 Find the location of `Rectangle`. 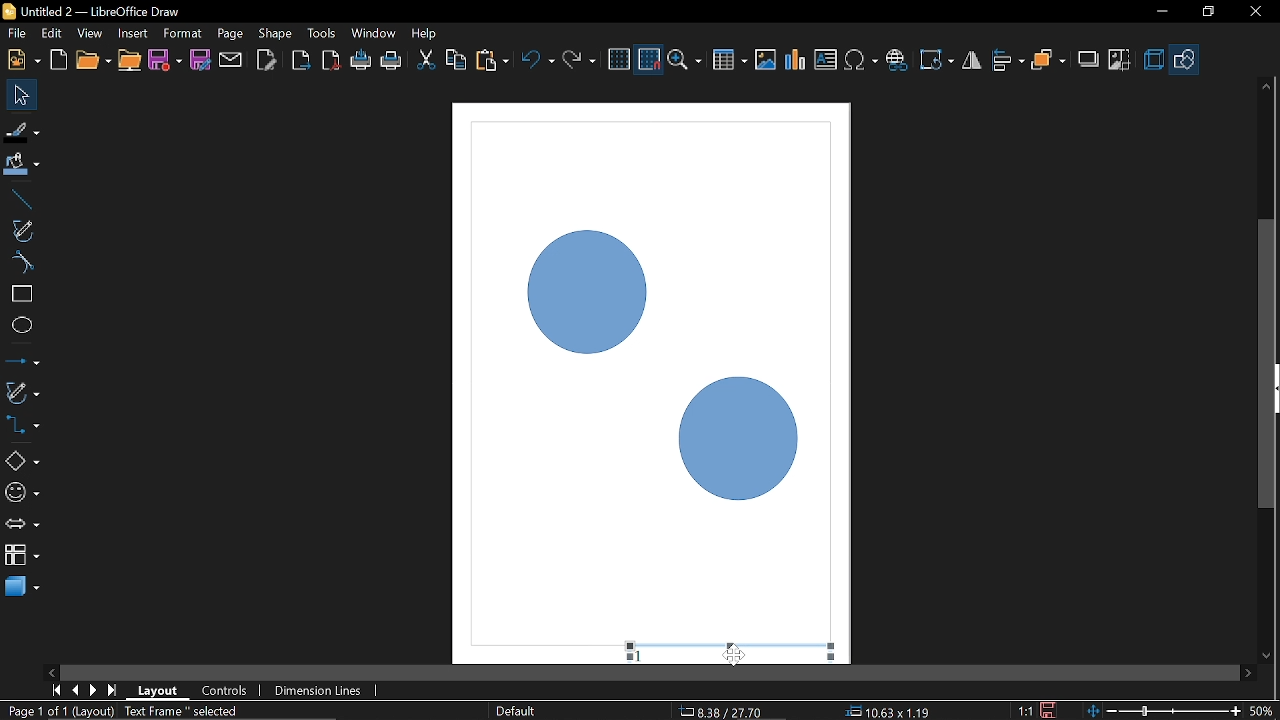

Rectangle is located at coordinates (21, 294).